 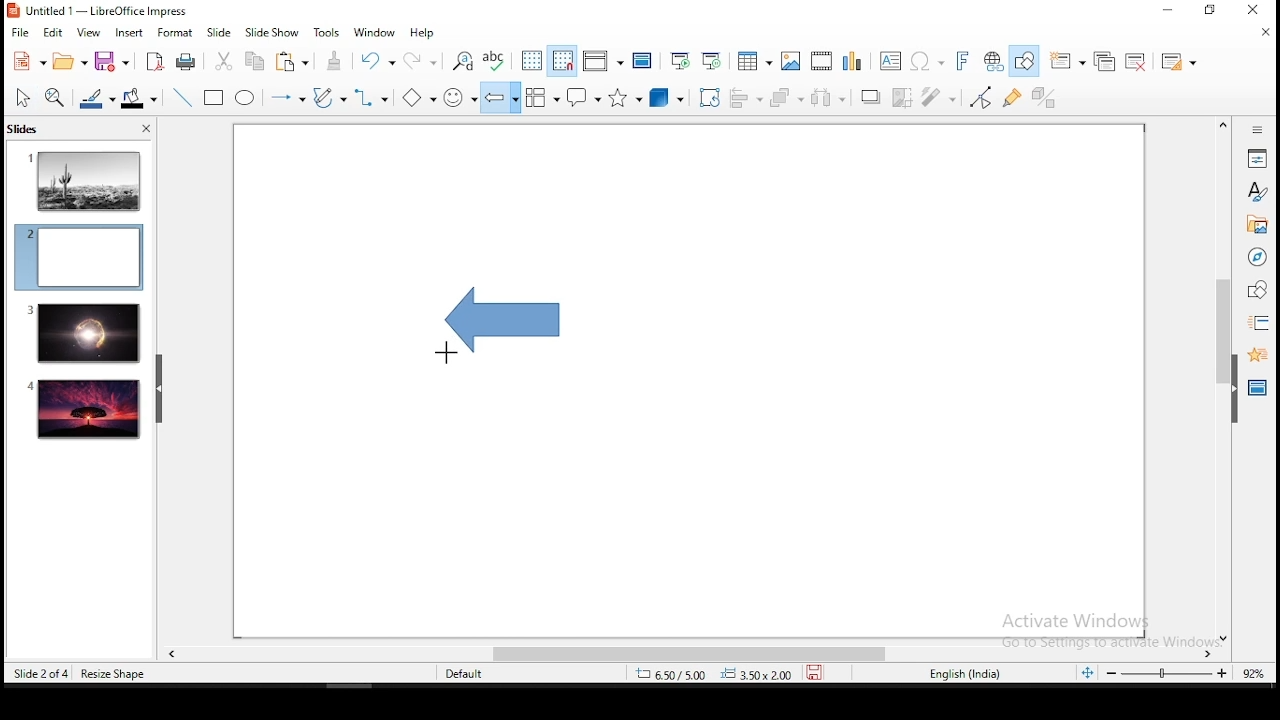 What do you see at coordinates (110, 61) in the screenshot?
I see `save` at bounding box center [110, 61].